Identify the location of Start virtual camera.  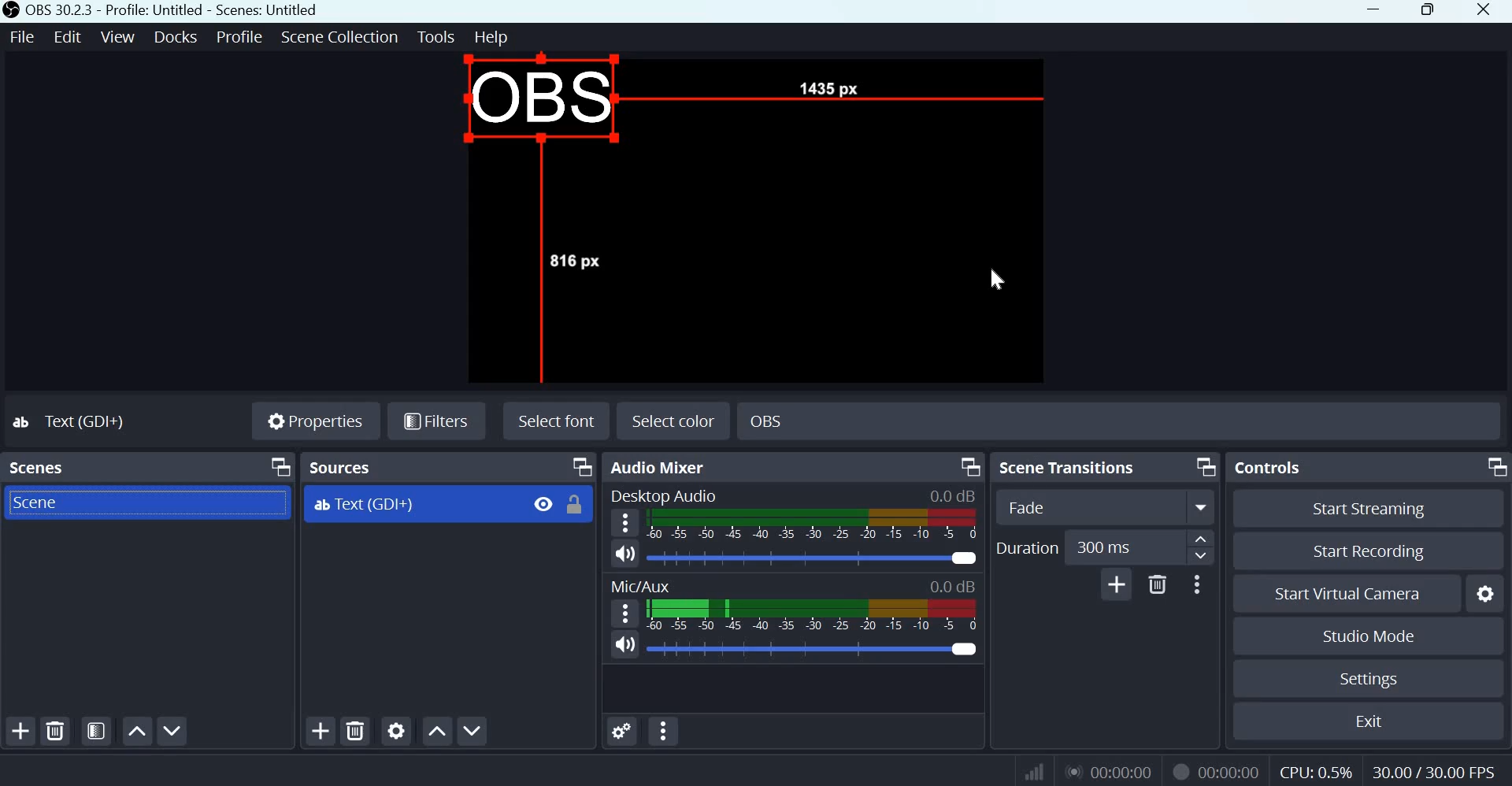
(1354, 594).